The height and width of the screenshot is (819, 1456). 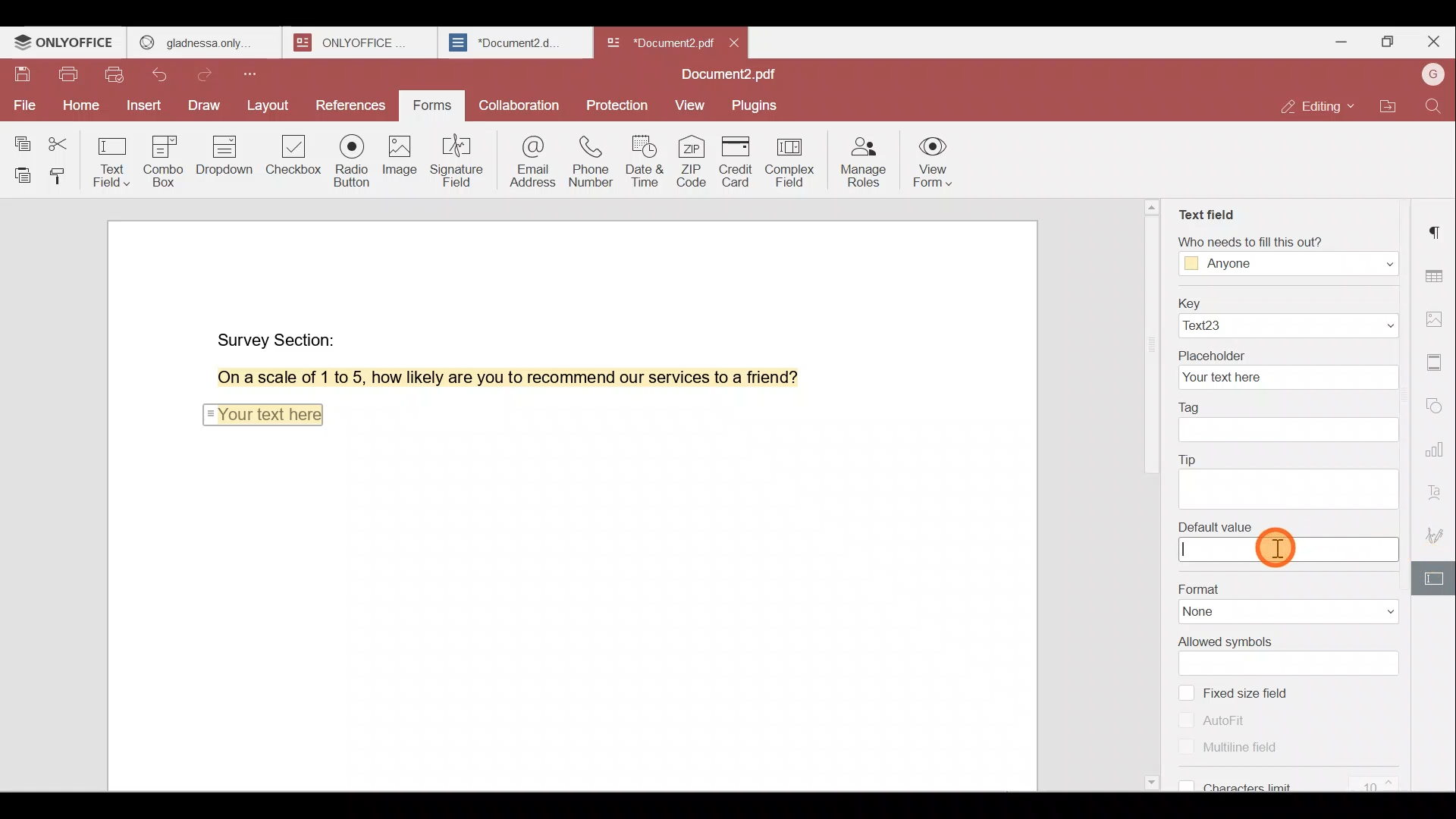 What do you see at coordinates (21, 137) in the screenshot?
I see `Copy` at bounding box center [21, 137].